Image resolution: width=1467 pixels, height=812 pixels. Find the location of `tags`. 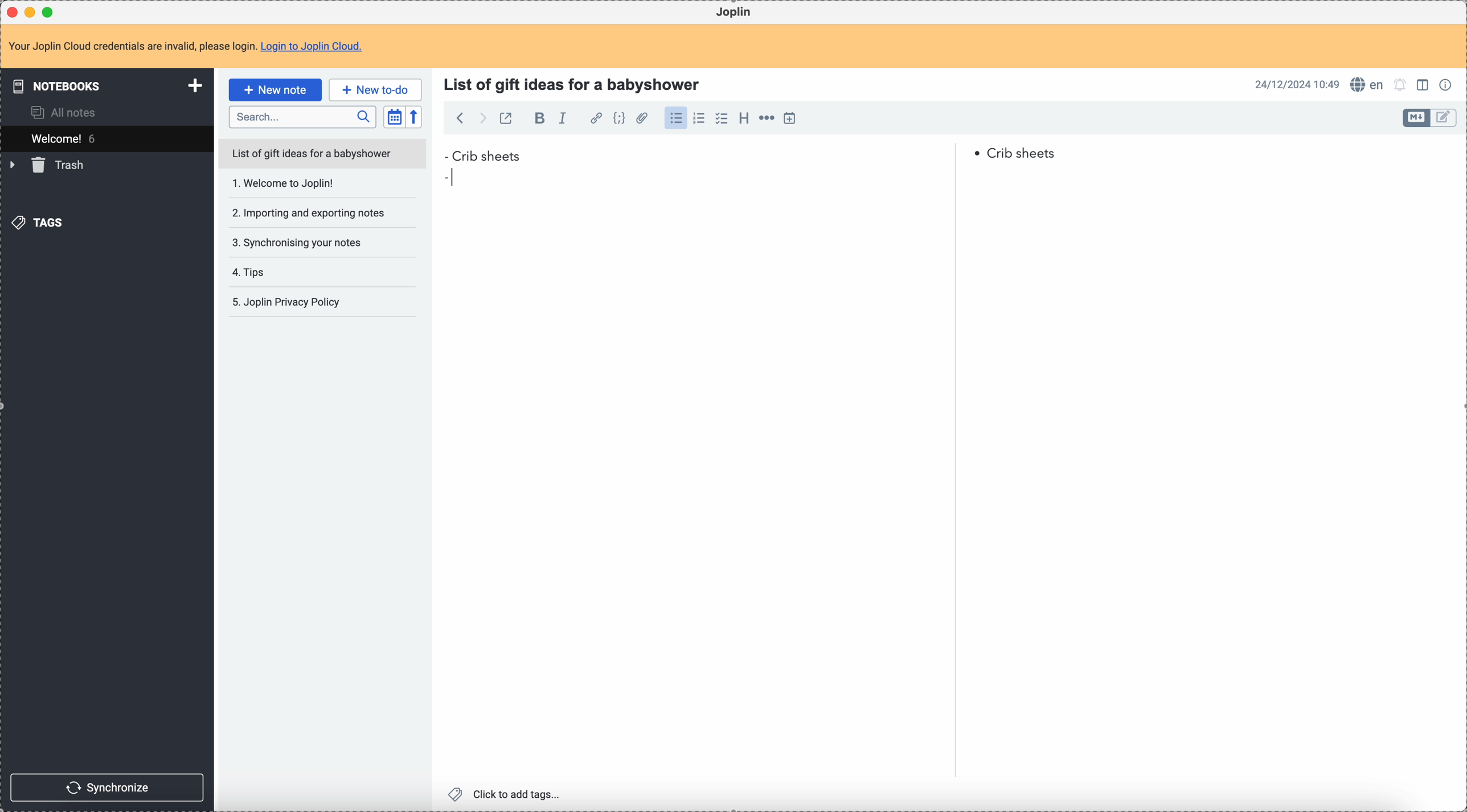

tags is located at coordinates (37, 223).